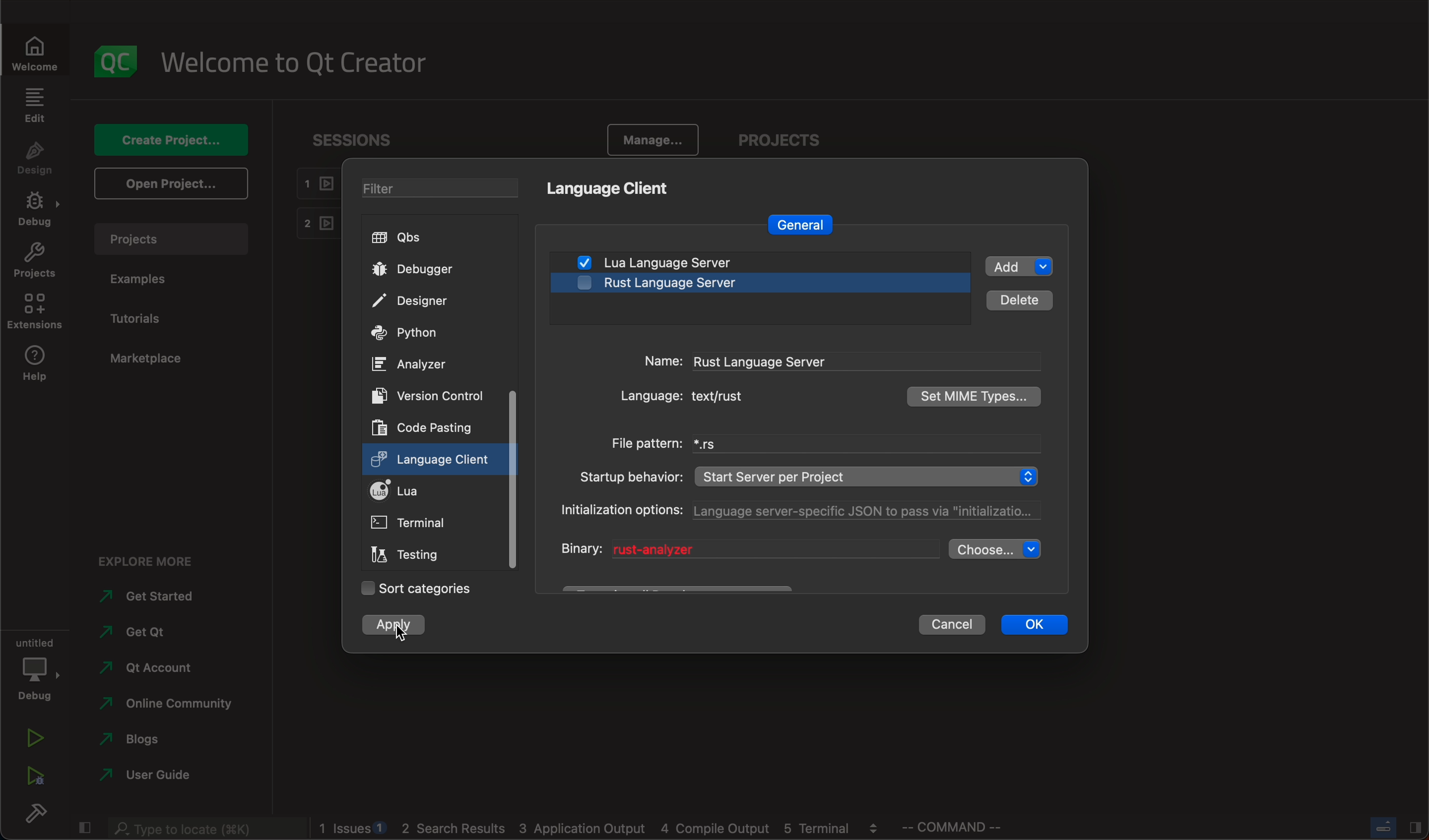  Describe the element at coordinates (37, 668) in the screenshot. I see `debug` at that location.